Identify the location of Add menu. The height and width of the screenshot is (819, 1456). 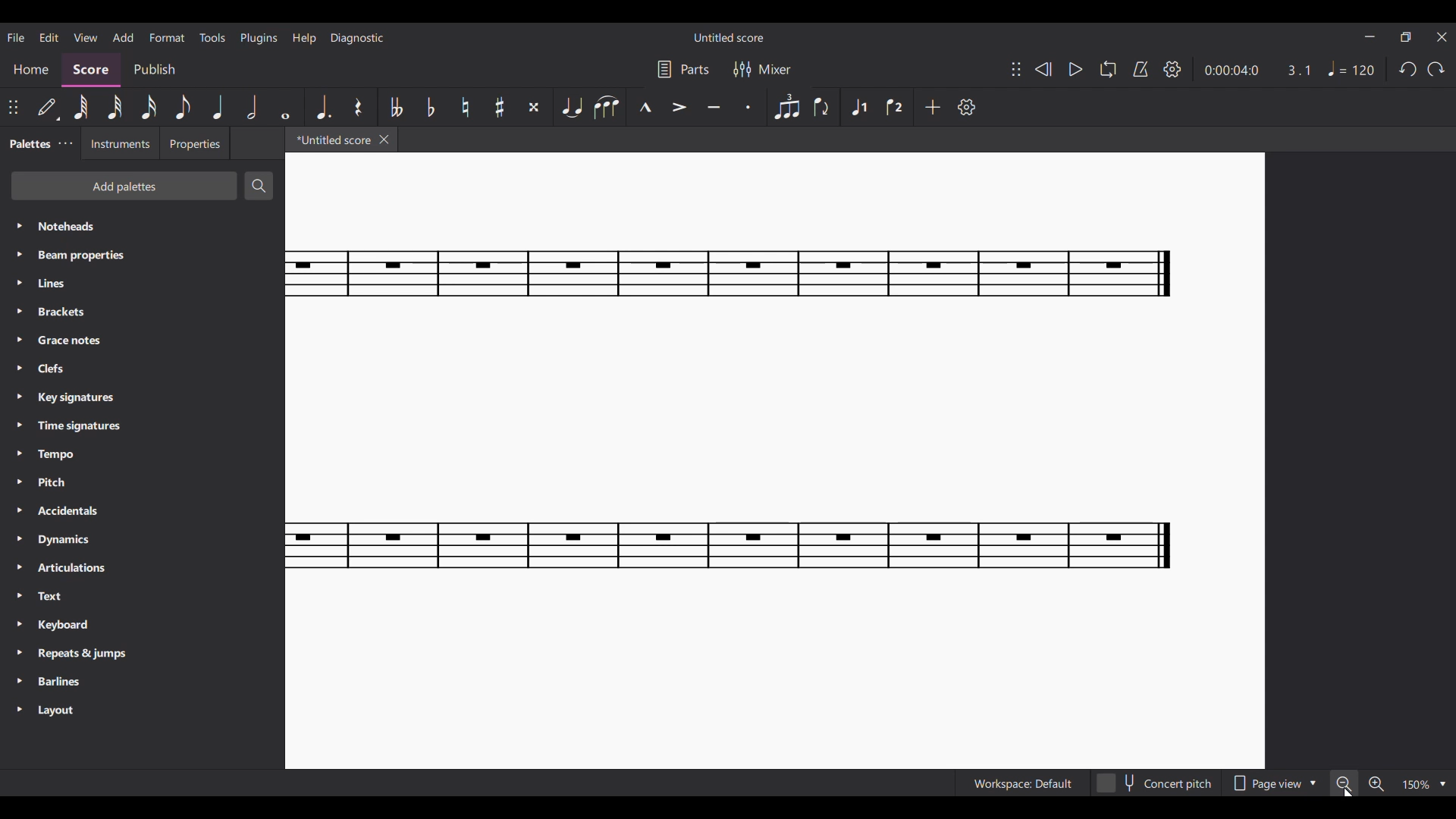
(123, 37).